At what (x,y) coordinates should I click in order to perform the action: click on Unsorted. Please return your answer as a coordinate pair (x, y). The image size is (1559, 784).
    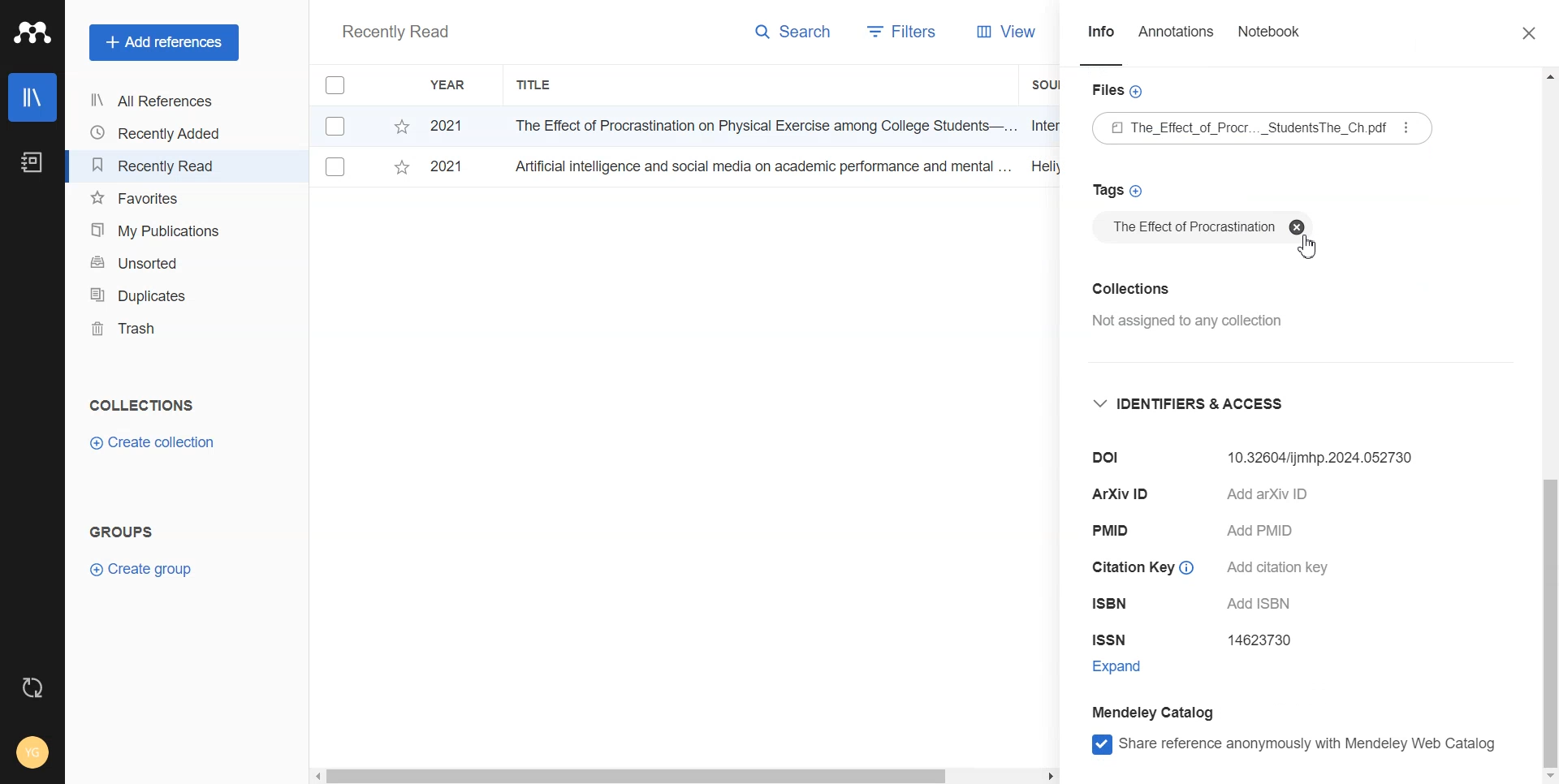
    Looking at the image, I should click on (160, 261).